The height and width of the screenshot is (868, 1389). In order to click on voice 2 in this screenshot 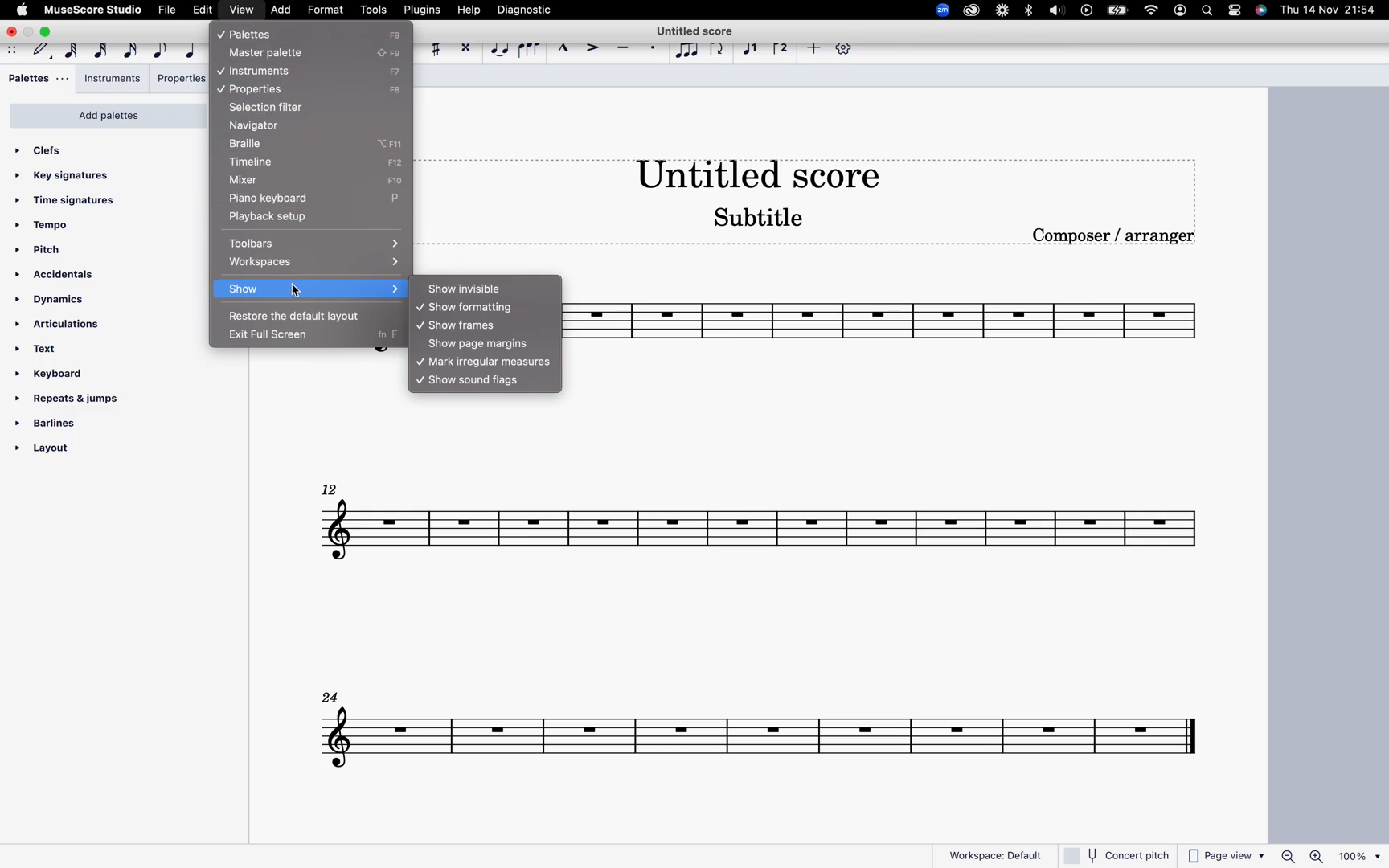, I will do `click(780, 50)`.